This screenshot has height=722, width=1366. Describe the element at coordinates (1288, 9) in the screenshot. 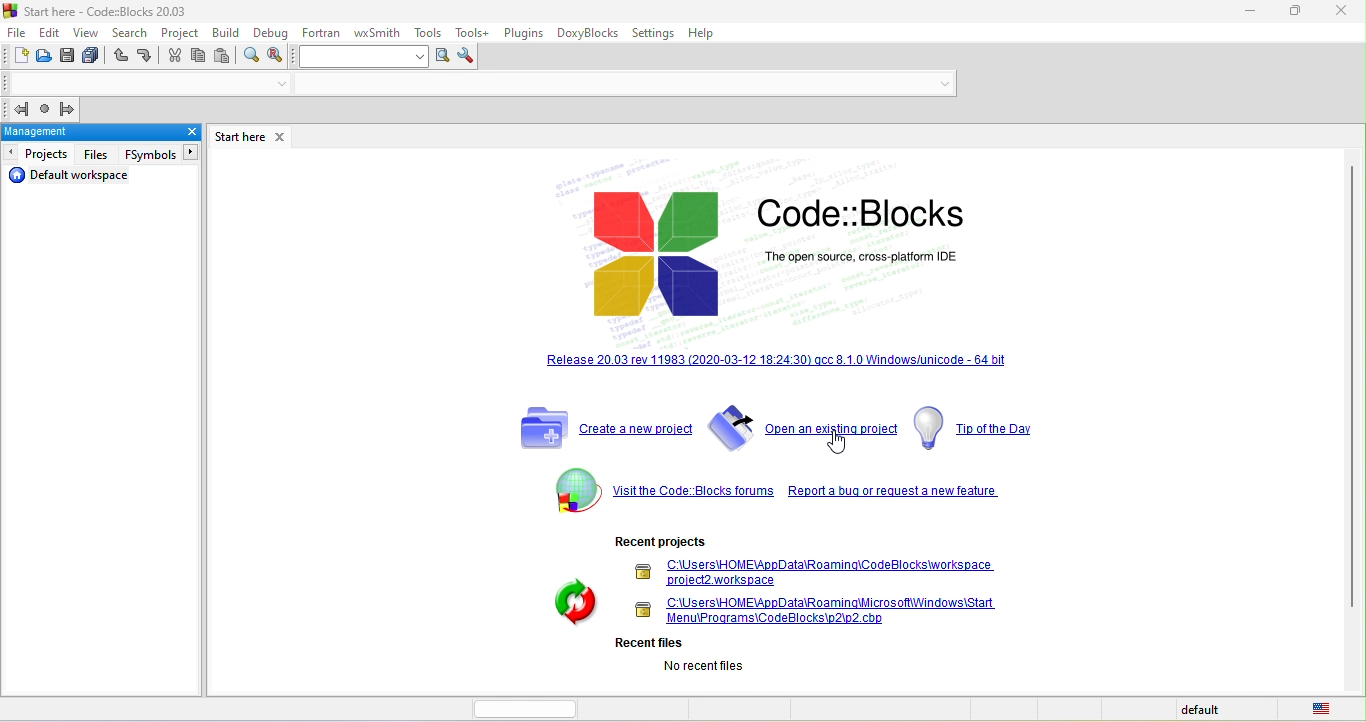

I see `maximize` at that location.